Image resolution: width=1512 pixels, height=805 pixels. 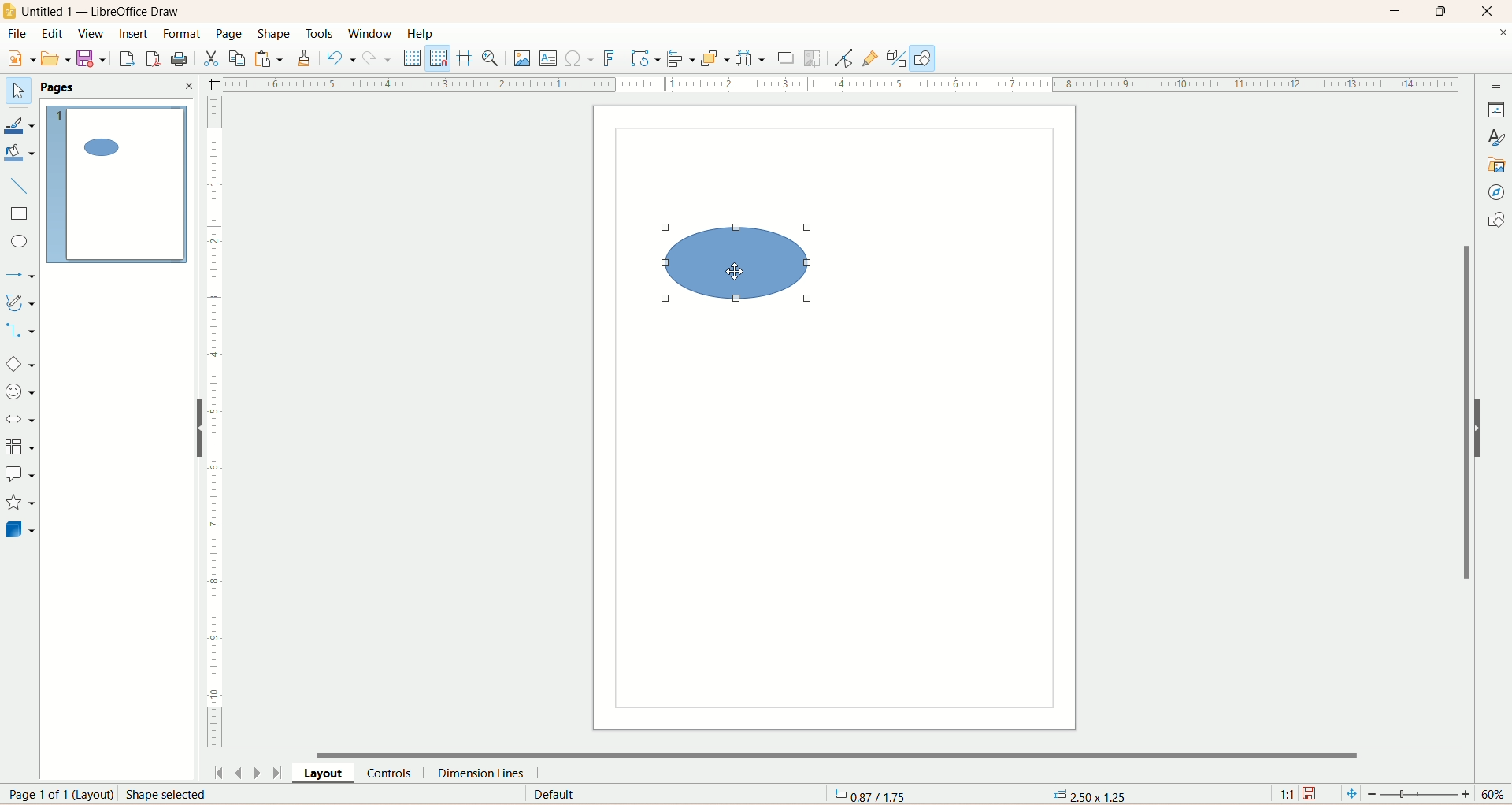 What do you see at coordinates (380, 60) in the screenshot?
I see `redo` at bounding box center [380, 60].